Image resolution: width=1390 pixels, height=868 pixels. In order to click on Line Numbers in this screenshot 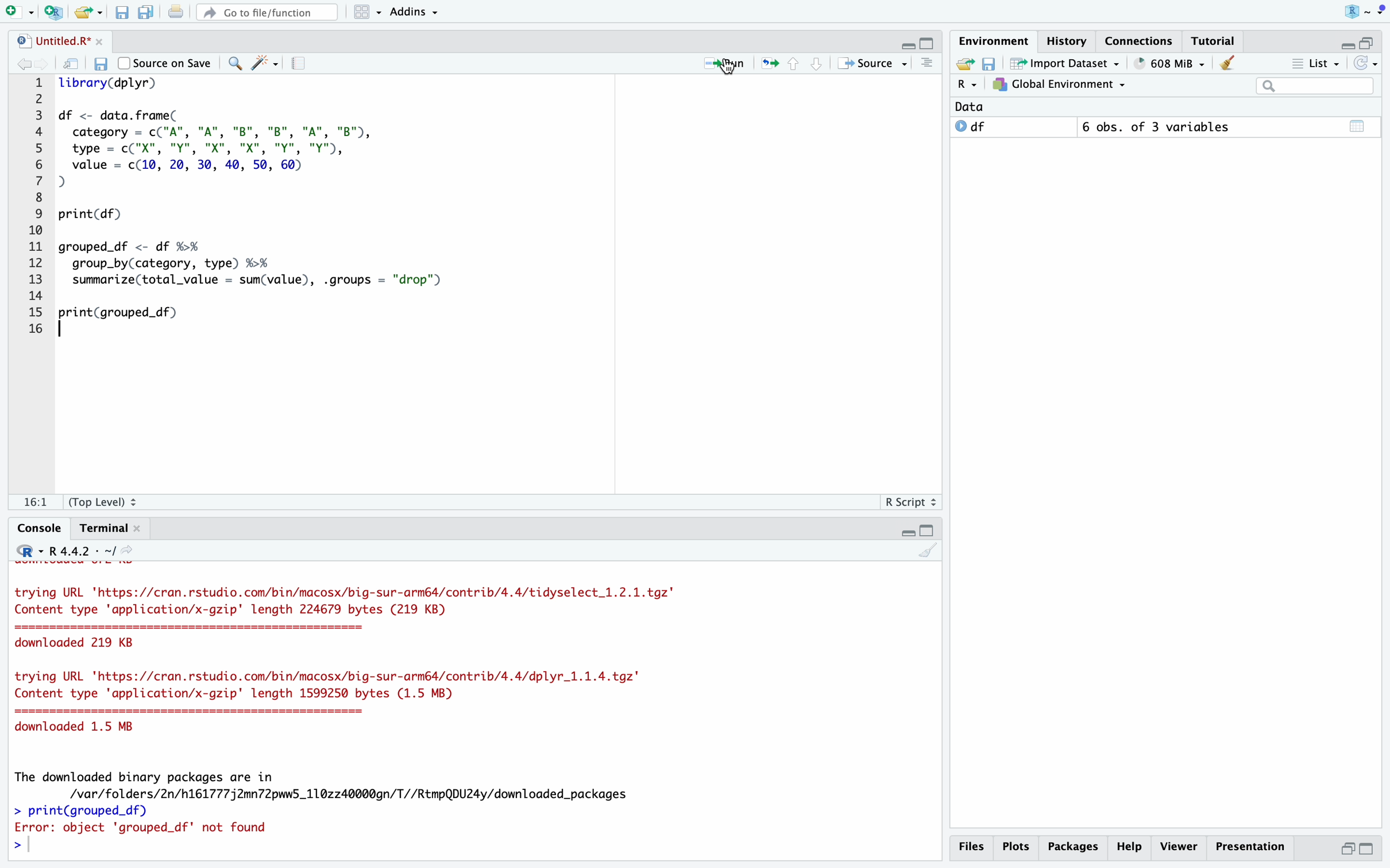, I will do `click(29, 208)`.